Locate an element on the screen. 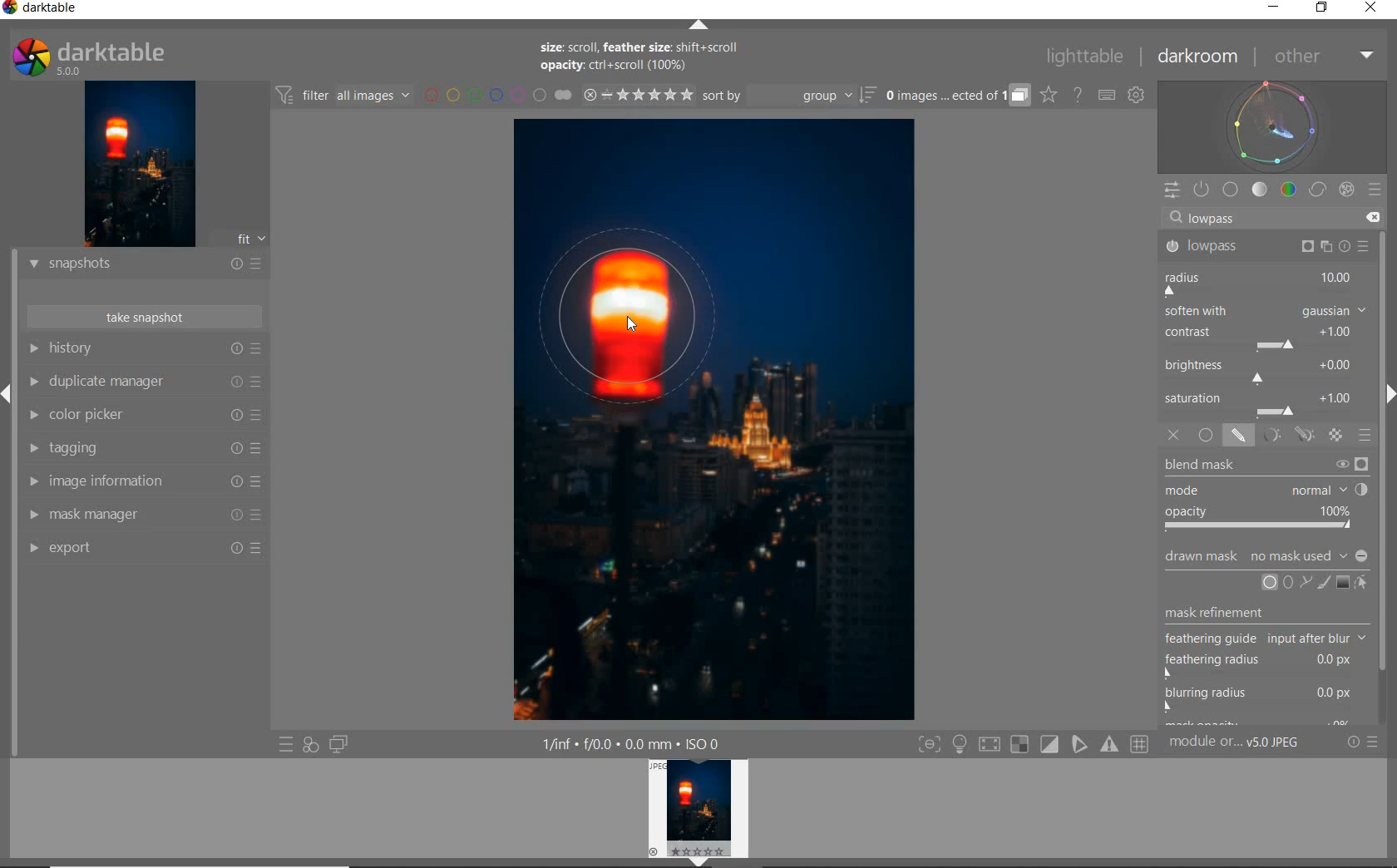 This screenshot has width=1397, height=868. DISPLAY A SECOND DARKROOM IMAGE WINDOW is located at coordinates (338, 745).